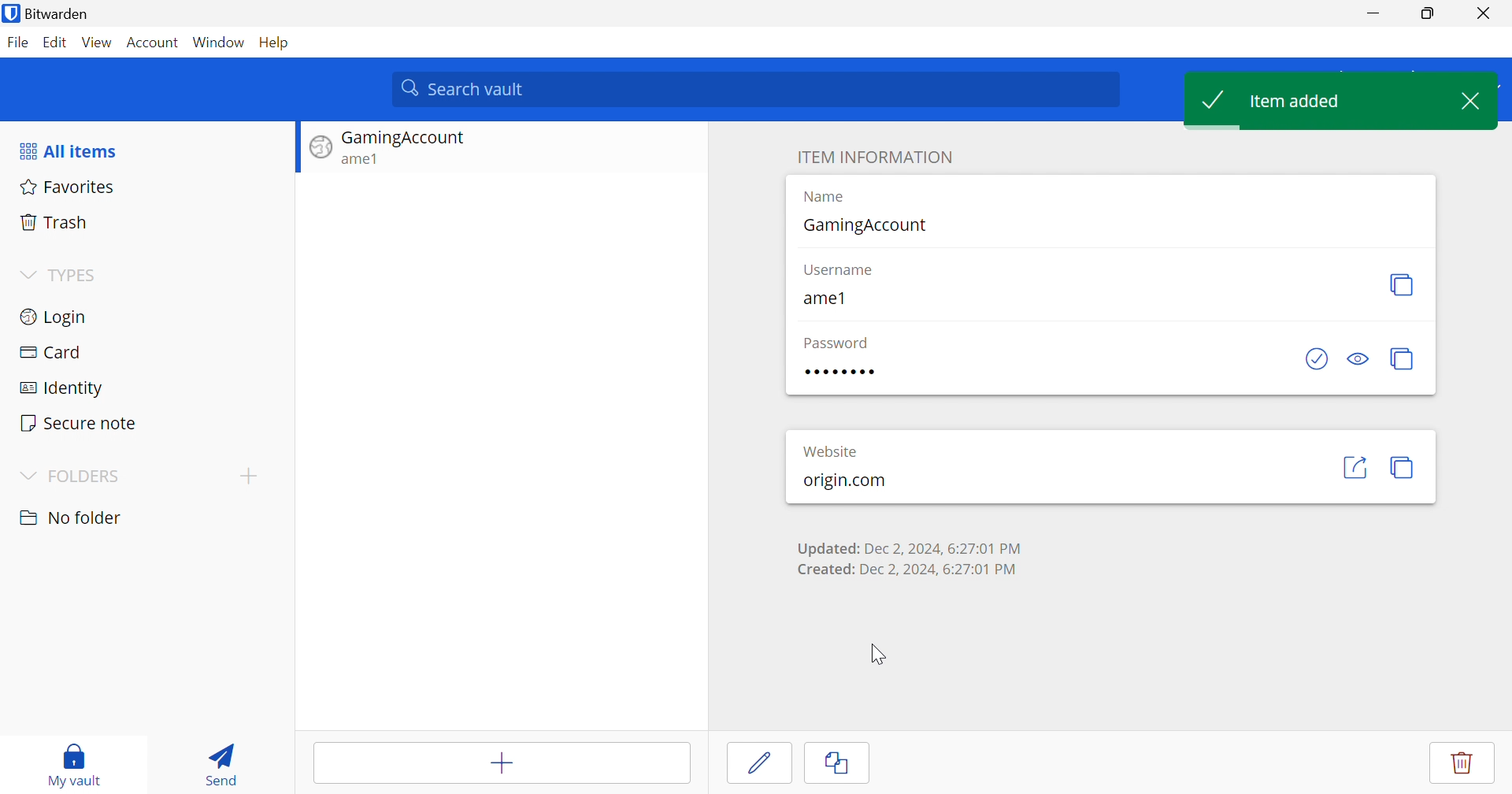  Describe the element at coordinates (67, 151) in the screenshot. I see `All items` at that location.